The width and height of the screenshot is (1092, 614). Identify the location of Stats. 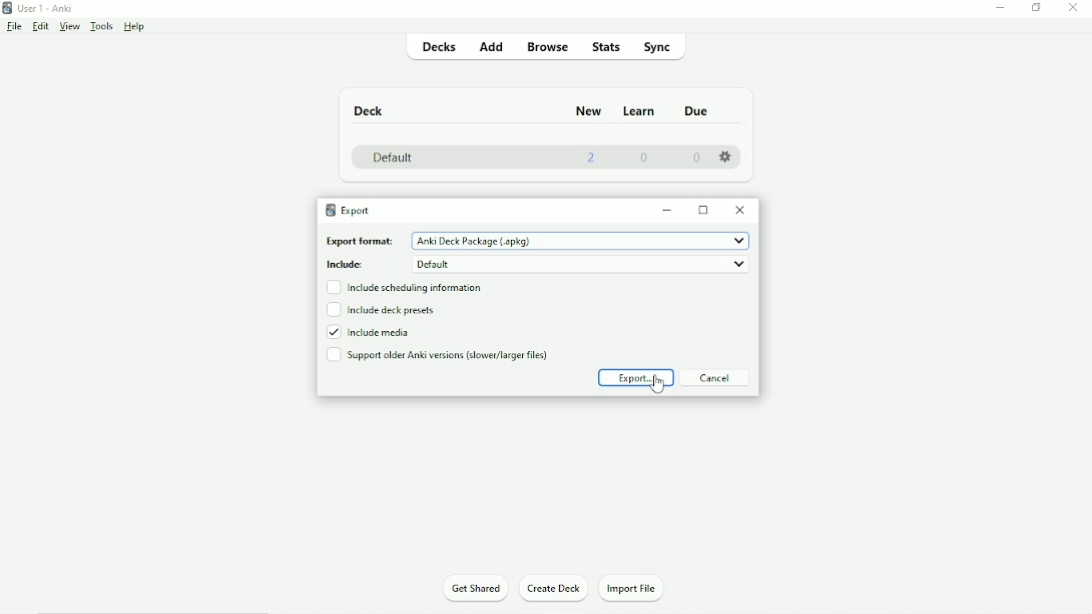
(604, 47).